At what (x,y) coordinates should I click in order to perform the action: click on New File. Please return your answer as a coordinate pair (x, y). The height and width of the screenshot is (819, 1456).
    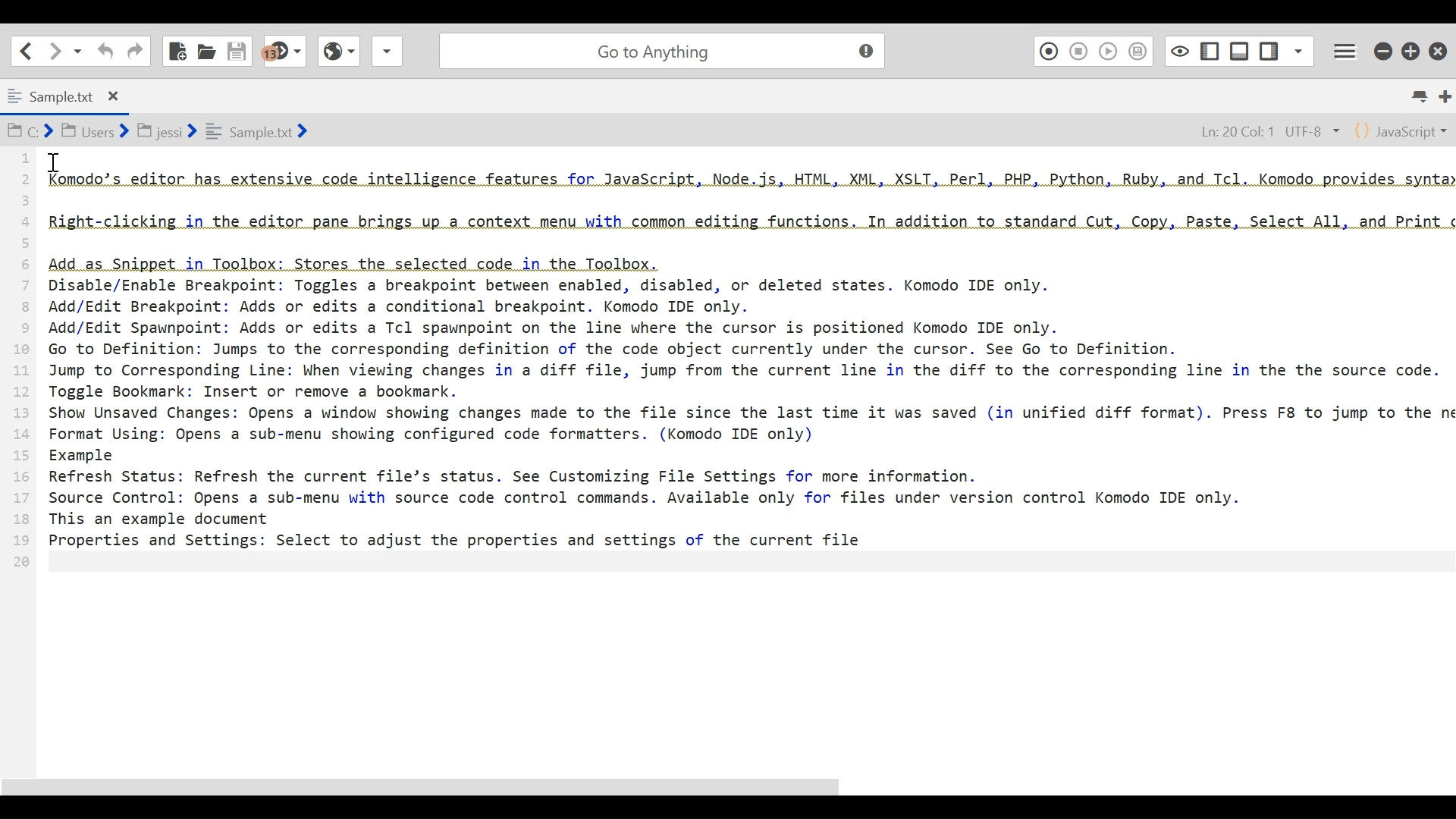
    Looking at the image, I should click on (178, 49).